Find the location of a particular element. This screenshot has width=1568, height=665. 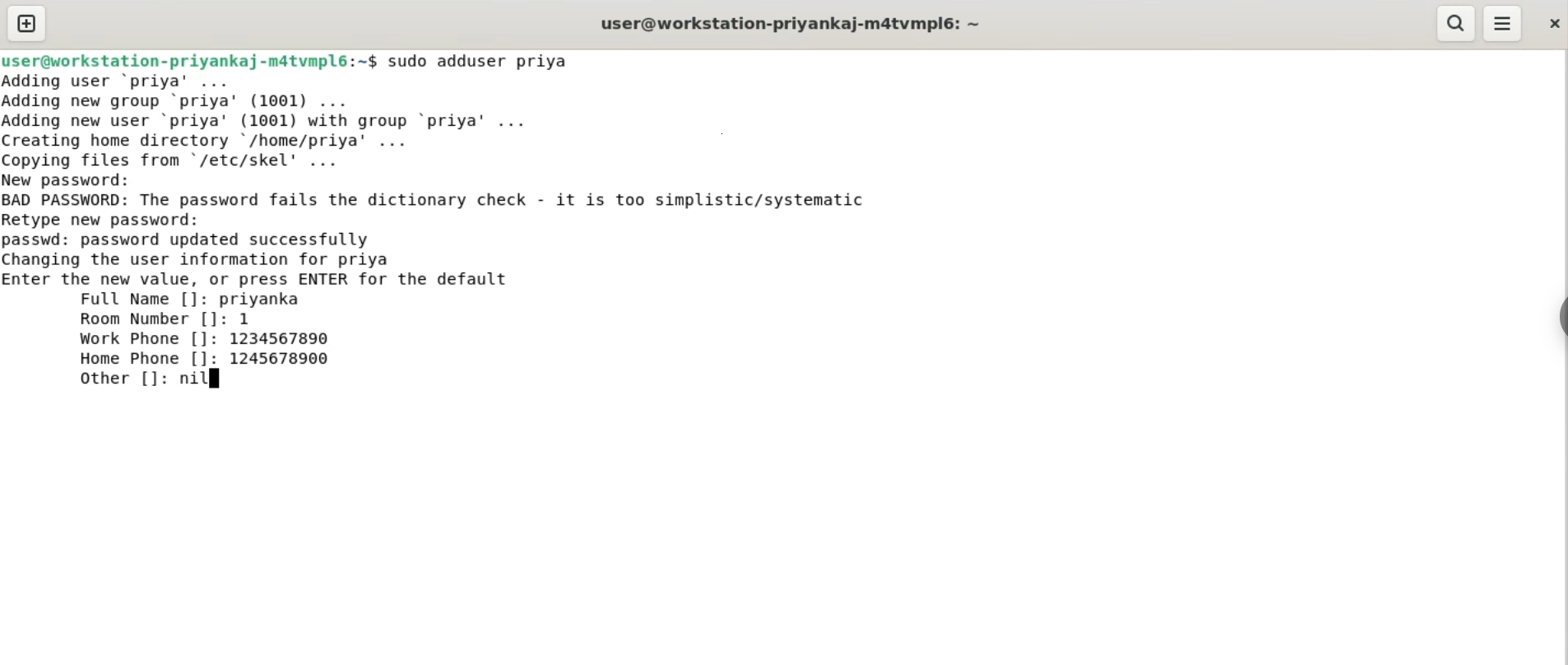

Room Number []: 1 is located at coordinates (165, 319).